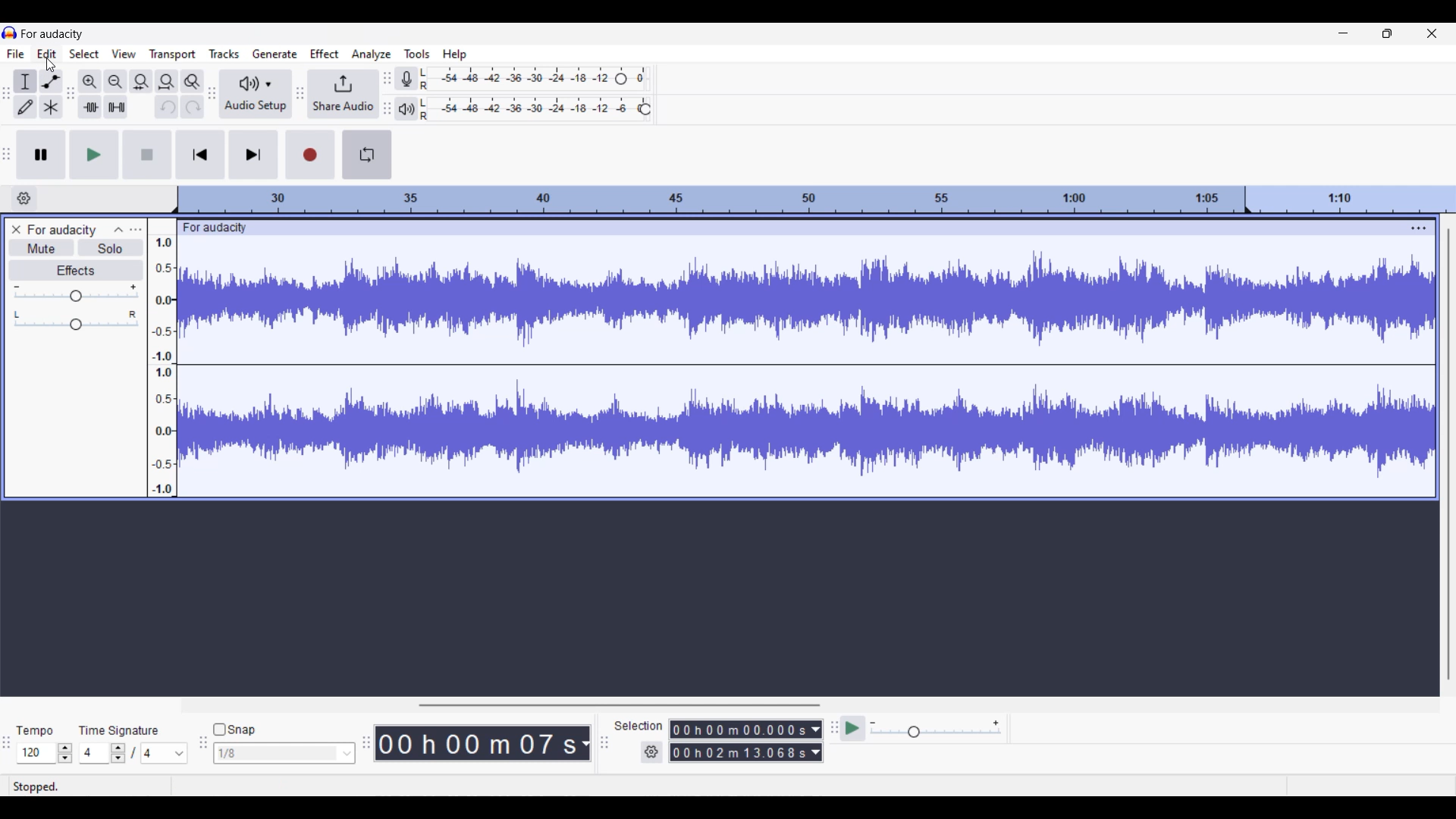  What do you see at coordinates (89, 107) in the screenshot?
I see `Trim audio selection` at bounding box center [89, 107].